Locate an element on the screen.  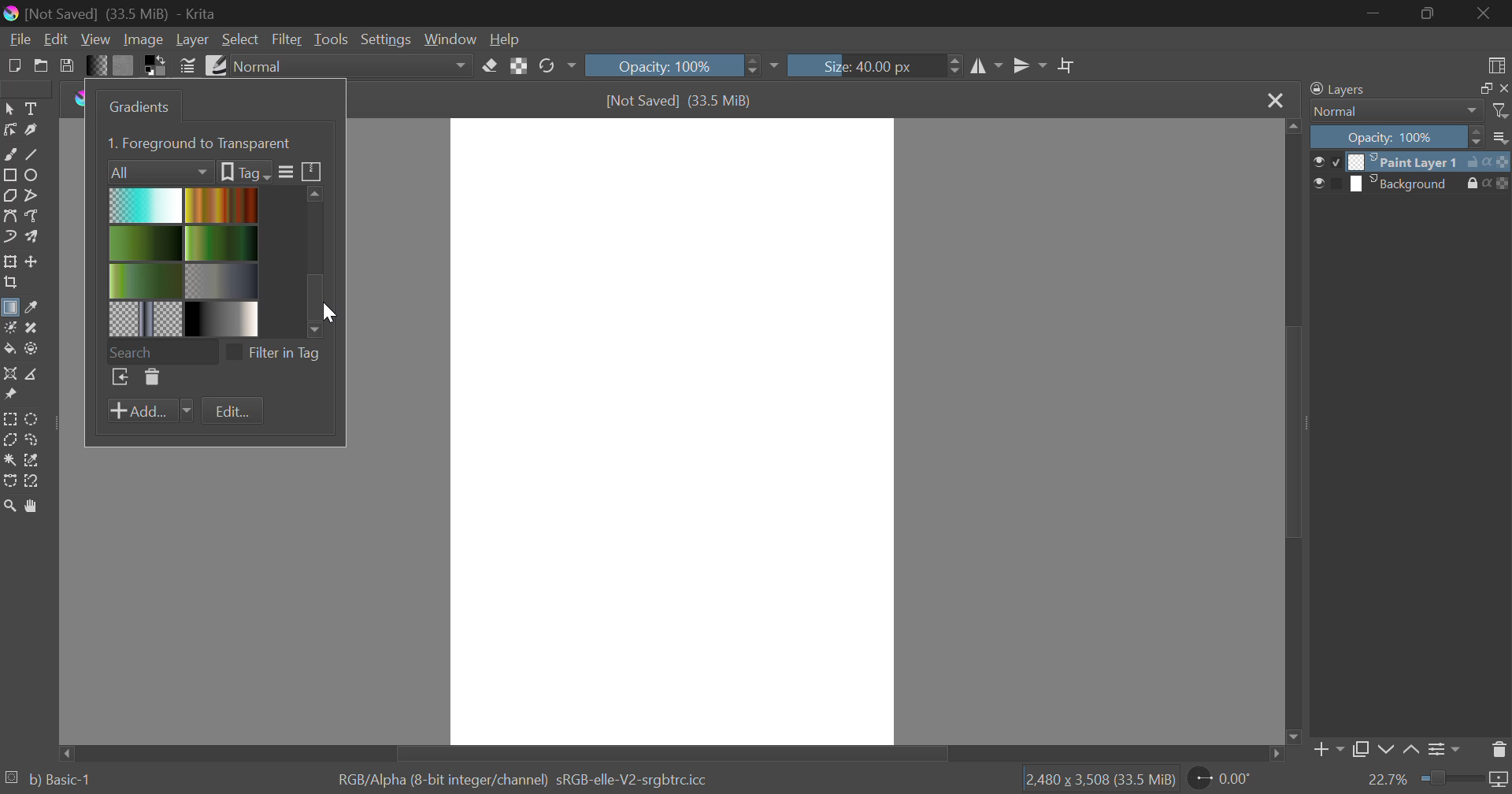
Measurement is located at coordinates (32, 375).